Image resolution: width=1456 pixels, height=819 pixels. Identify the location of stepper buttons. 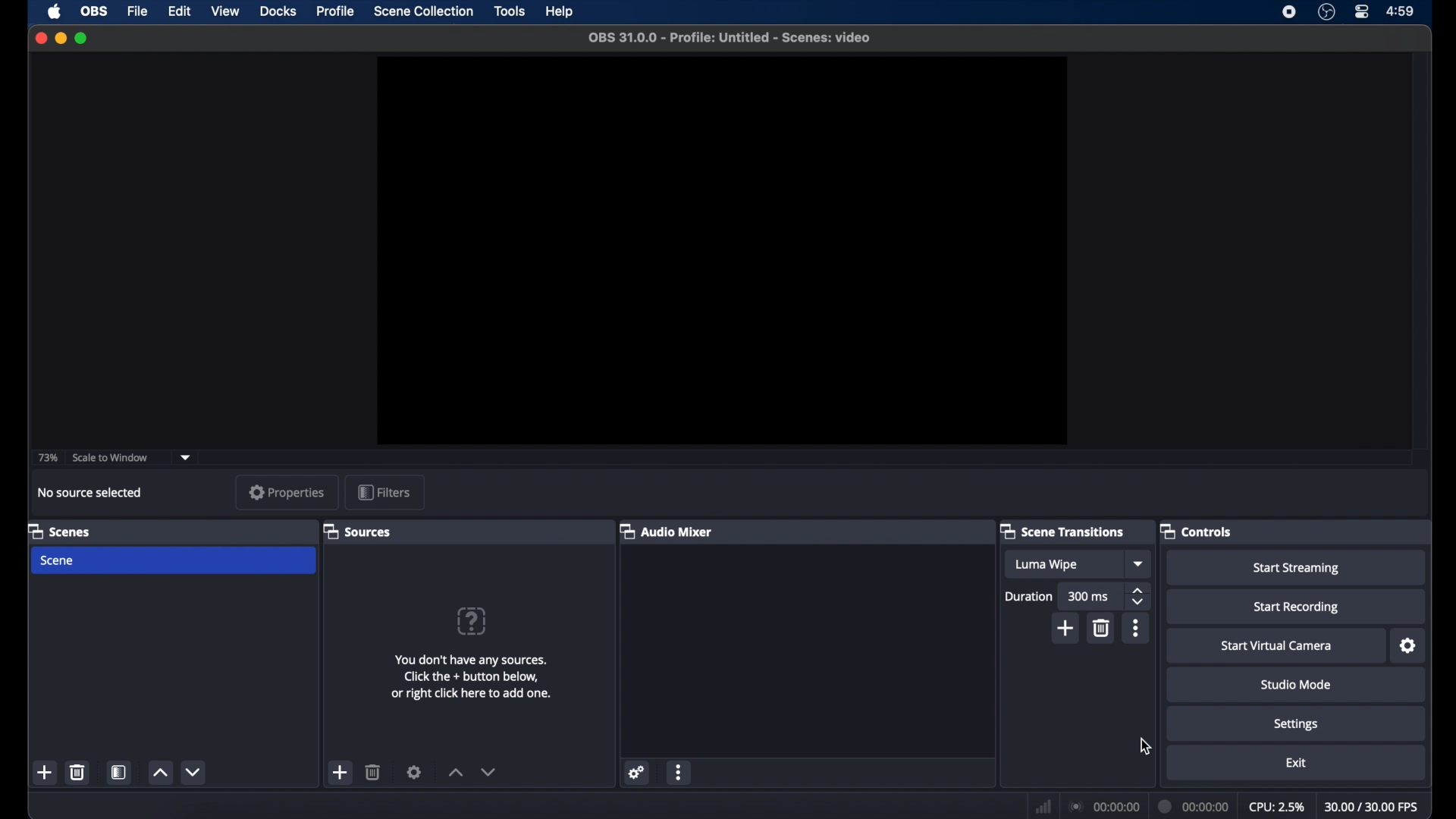
(1137, 596).